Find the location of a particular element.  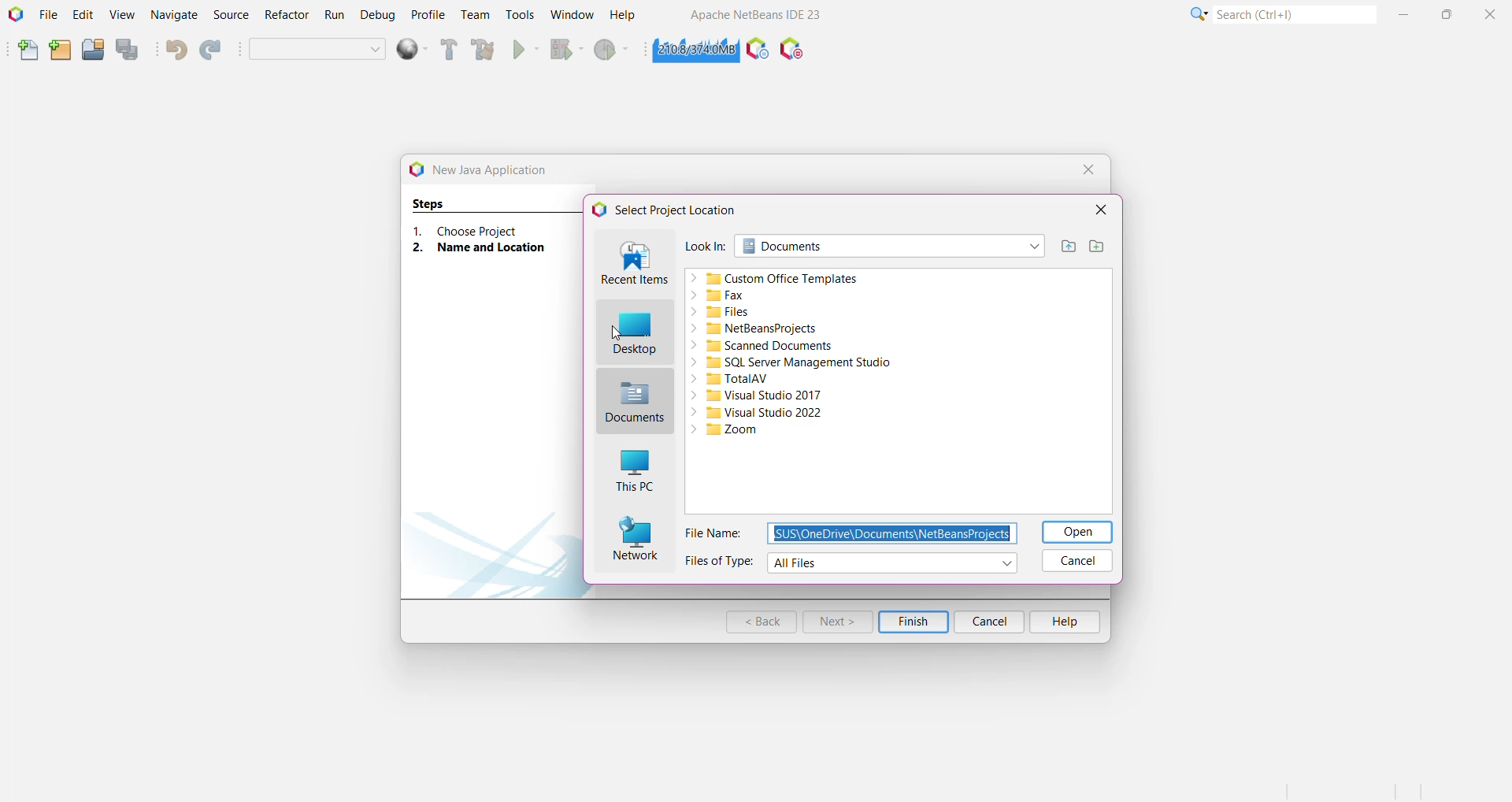

Application Name and Version is located at coordinates (758, 16).